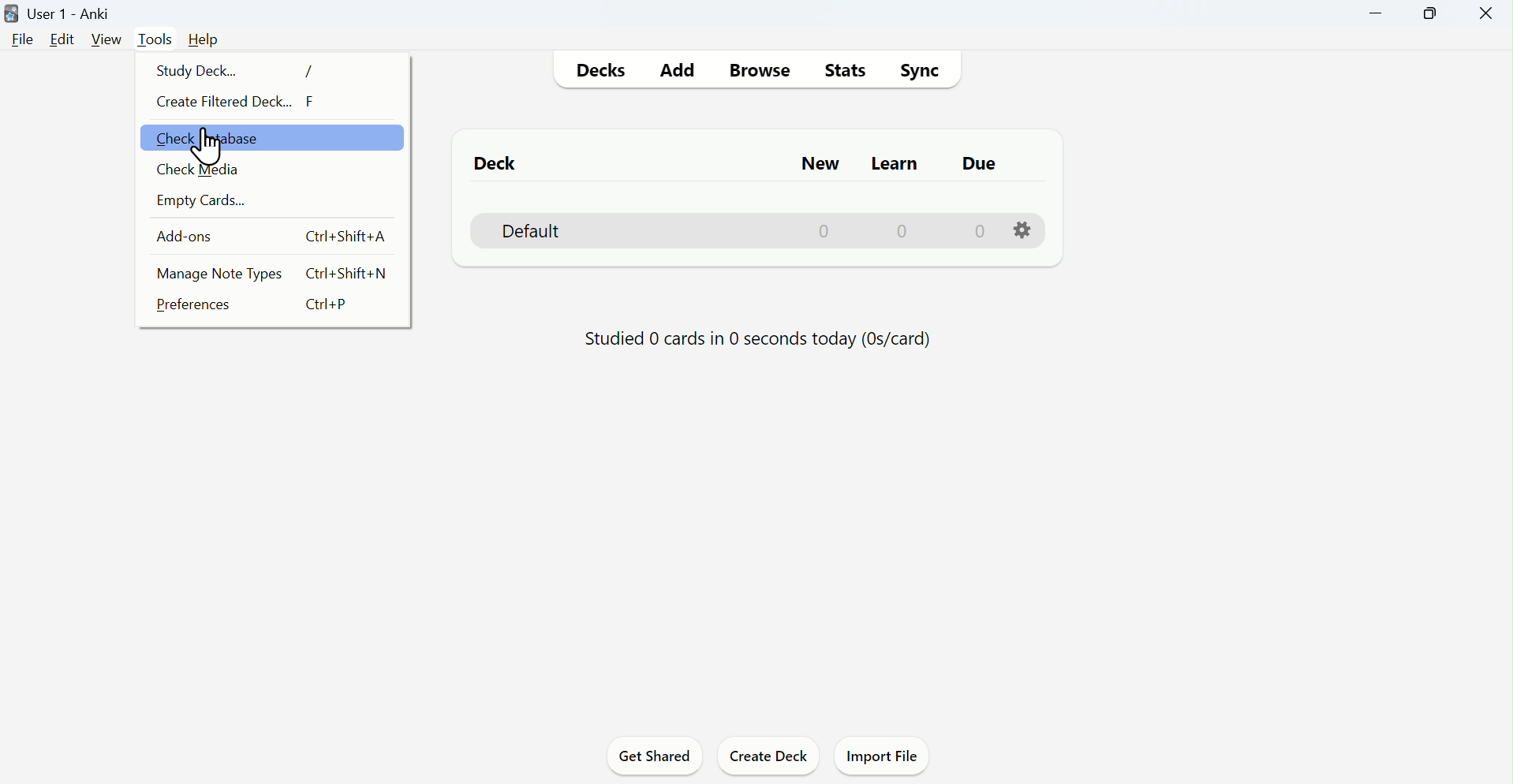  Describe the element at coordinates (209, 173) in the screenshot. I see `check media` at that location.